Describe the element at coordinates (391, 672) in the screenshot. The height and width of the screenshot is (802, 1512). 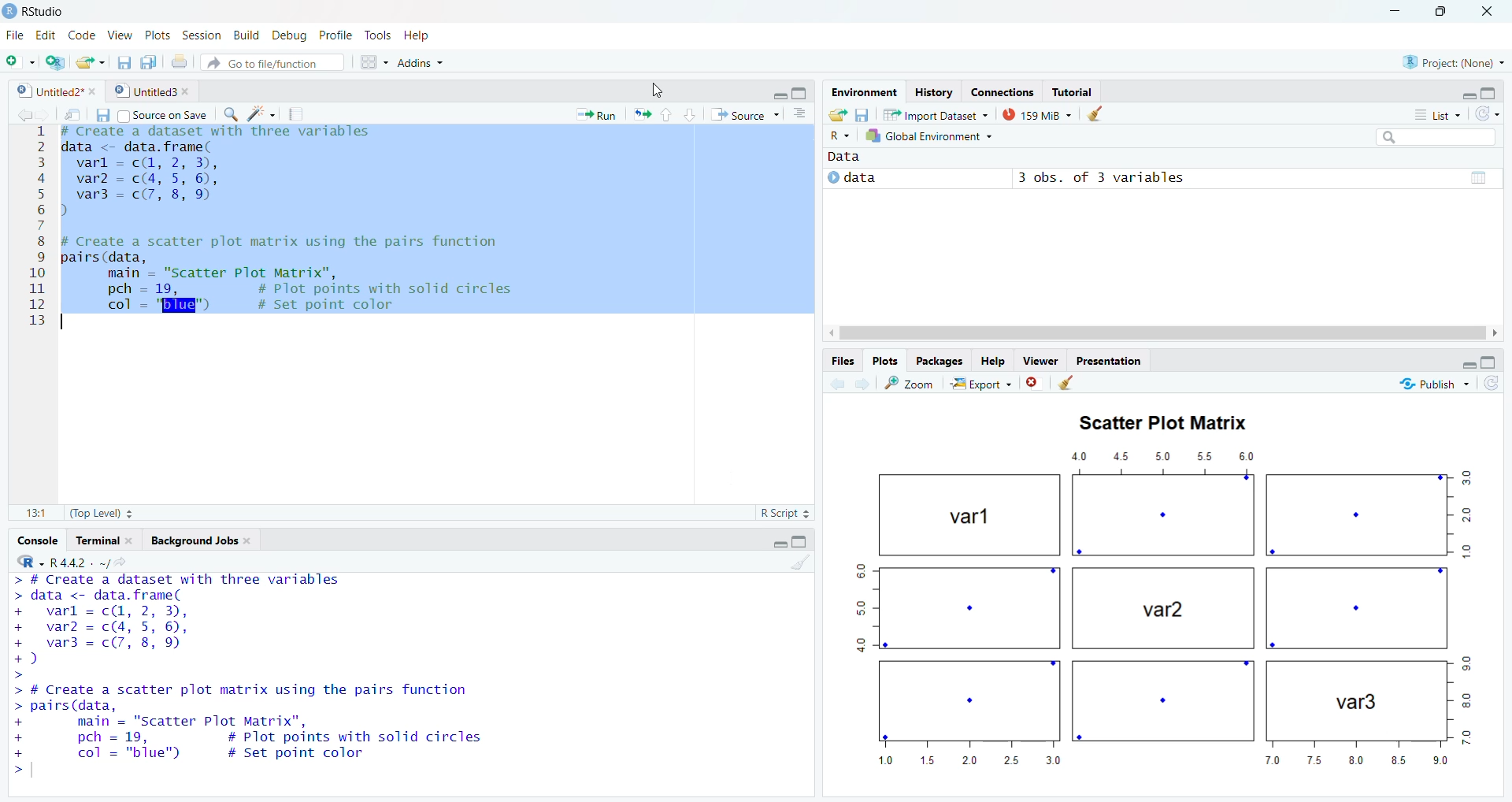
I see `> data <- data. frame(

+ varl = c(, 2, 3),

+ var2 = c(4, 5, 6),

+ var = c(7, 8, 9)

+)

>

> # Create a scatter plot matrix using the pairs function
> pairs(data,

+ main = "Scatter Plot Matrix",

+ pch = 19, # Plot points with solid circles
+ col = "blue™) # Set point color

>` at that location.